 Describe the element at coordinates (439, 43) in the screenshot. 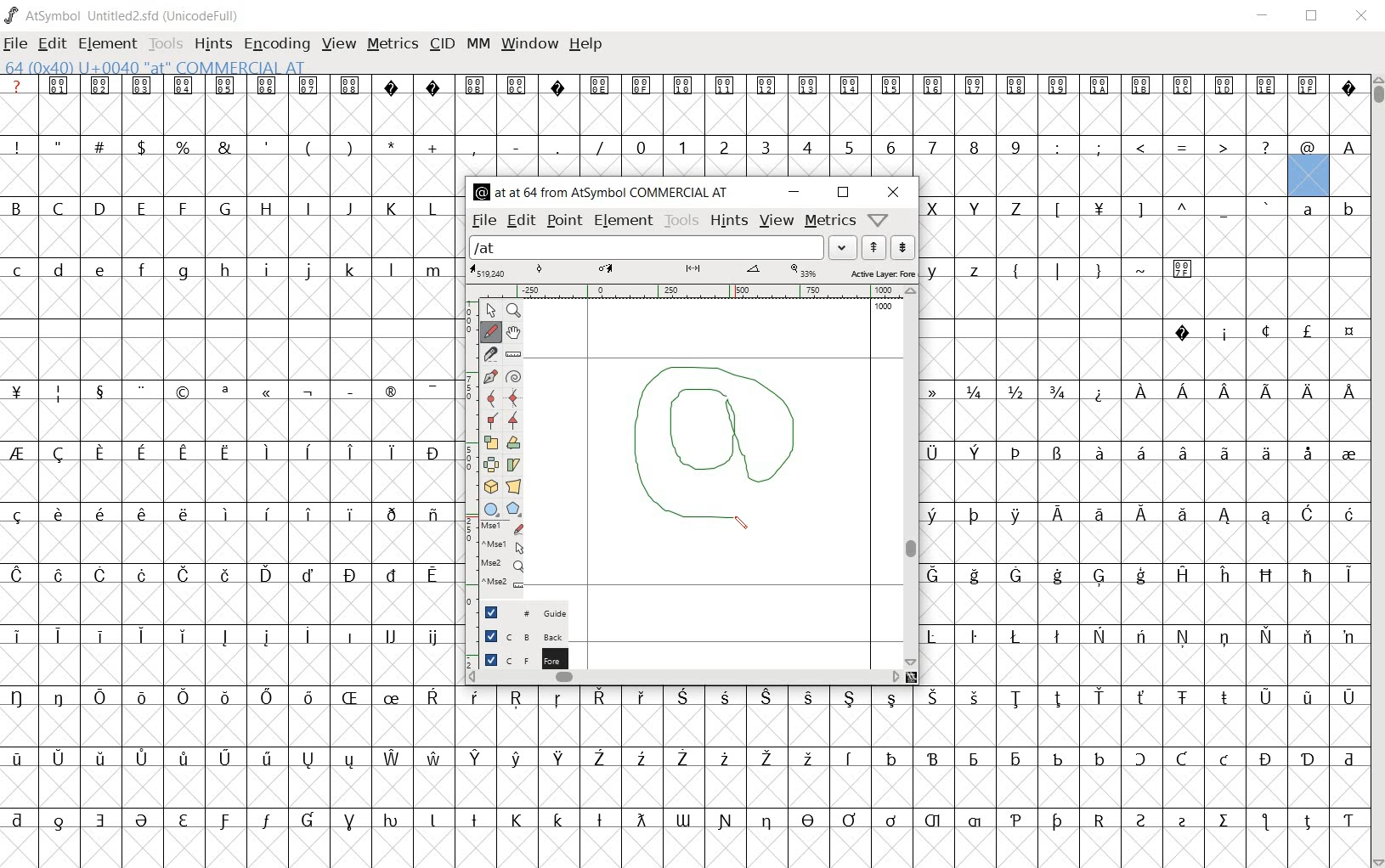

I see `CID` at that location.